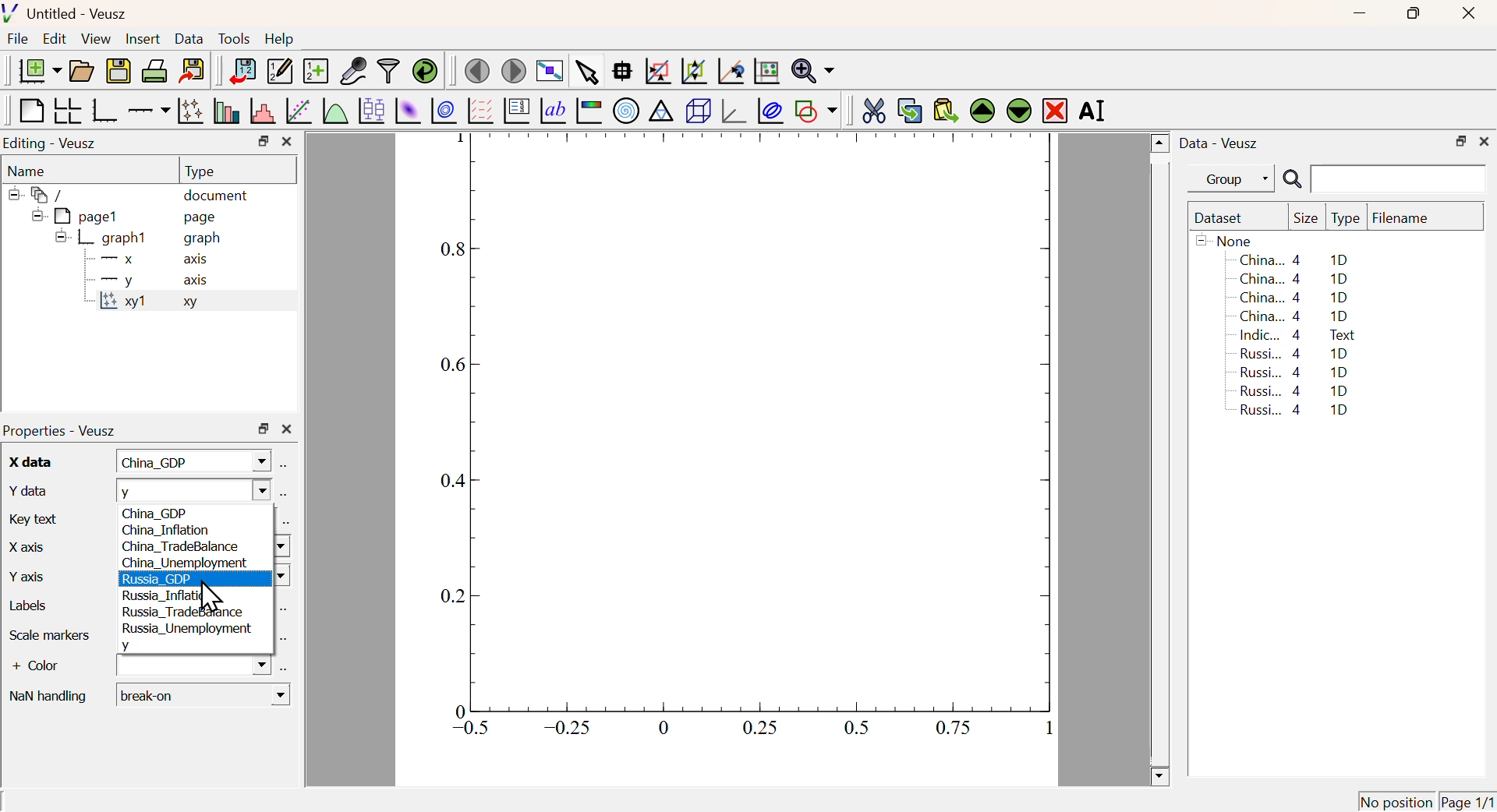  What do you see at coordinates (586, 75) in the screenshot?
I see `Select items from graph or scroll` at bounding box center [586, 75].